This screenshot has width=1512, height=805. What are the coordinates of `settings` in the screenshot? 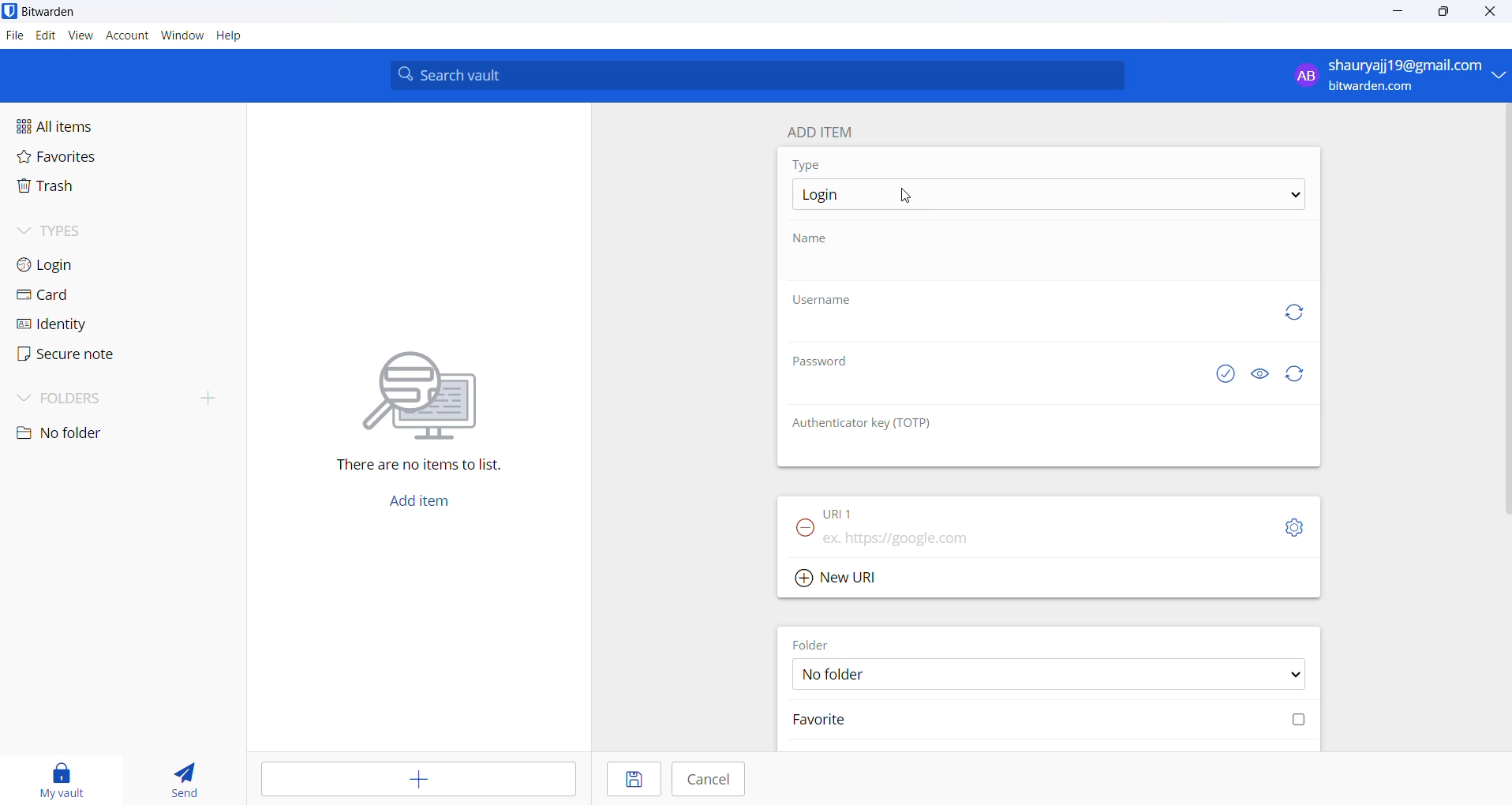 It's located at (1294, 531).